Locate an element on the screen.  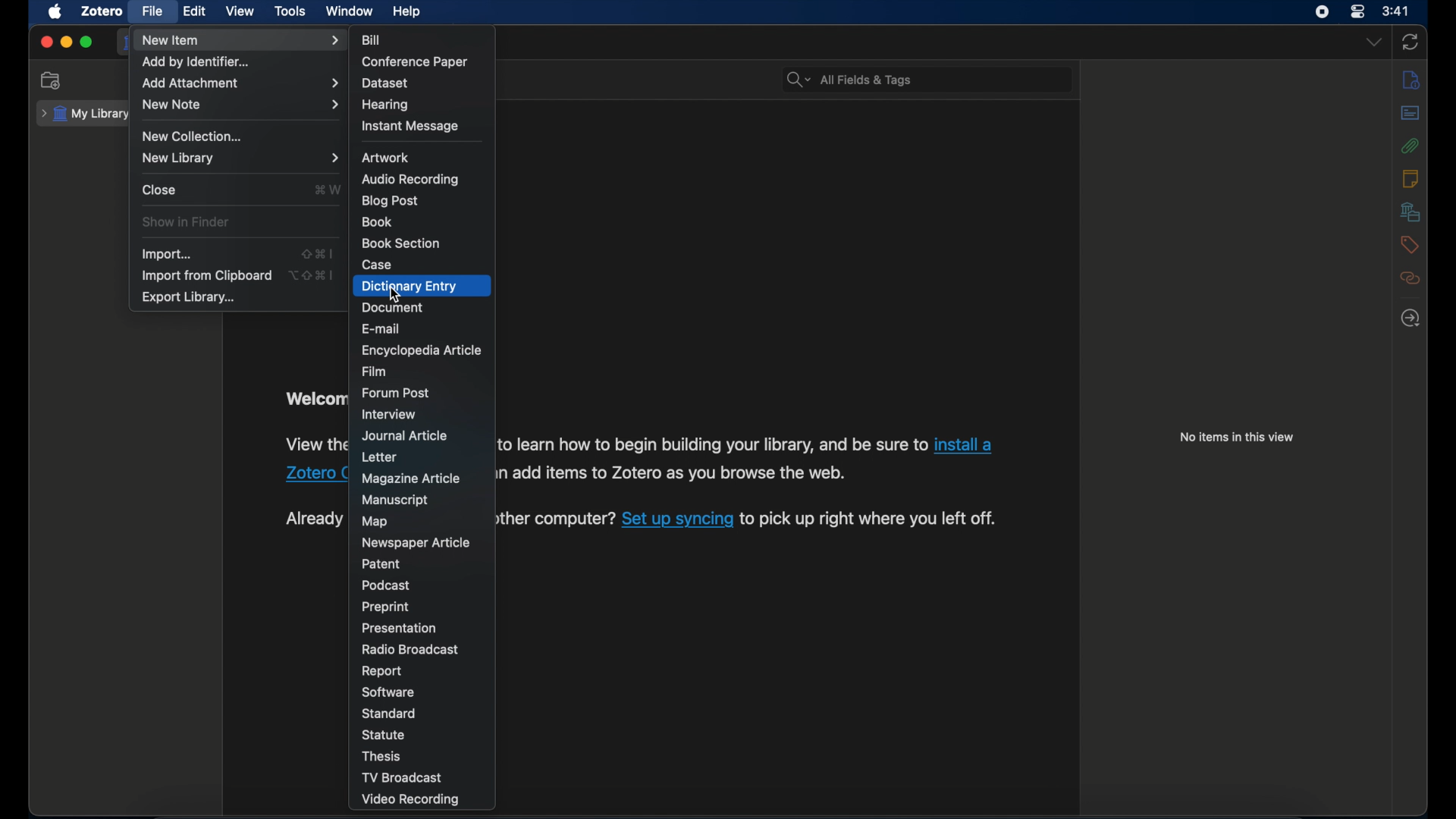
maximize is located at coordinates (86, 42).